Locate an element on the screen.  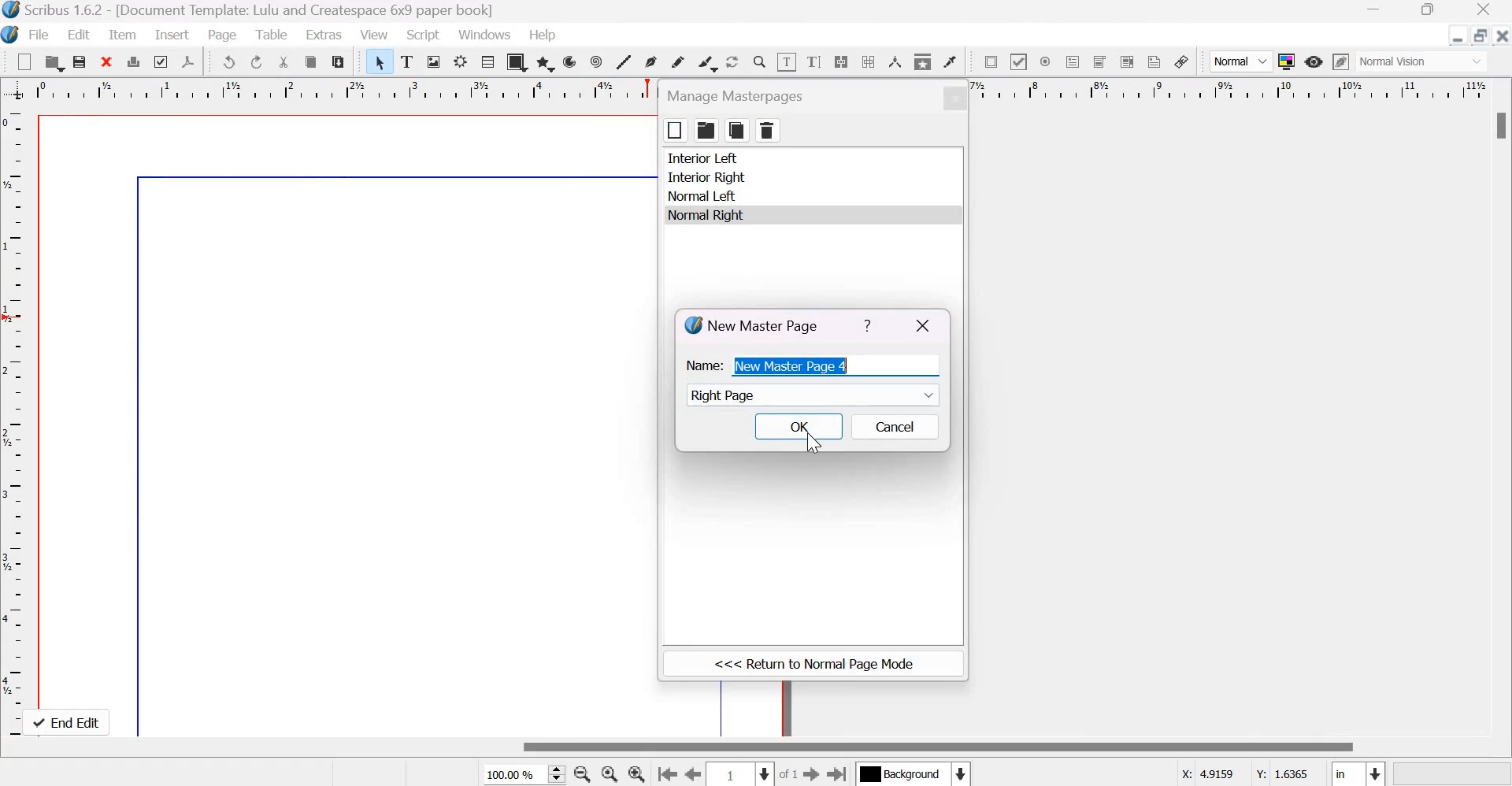
Close is located at coordinates (1484, 9).